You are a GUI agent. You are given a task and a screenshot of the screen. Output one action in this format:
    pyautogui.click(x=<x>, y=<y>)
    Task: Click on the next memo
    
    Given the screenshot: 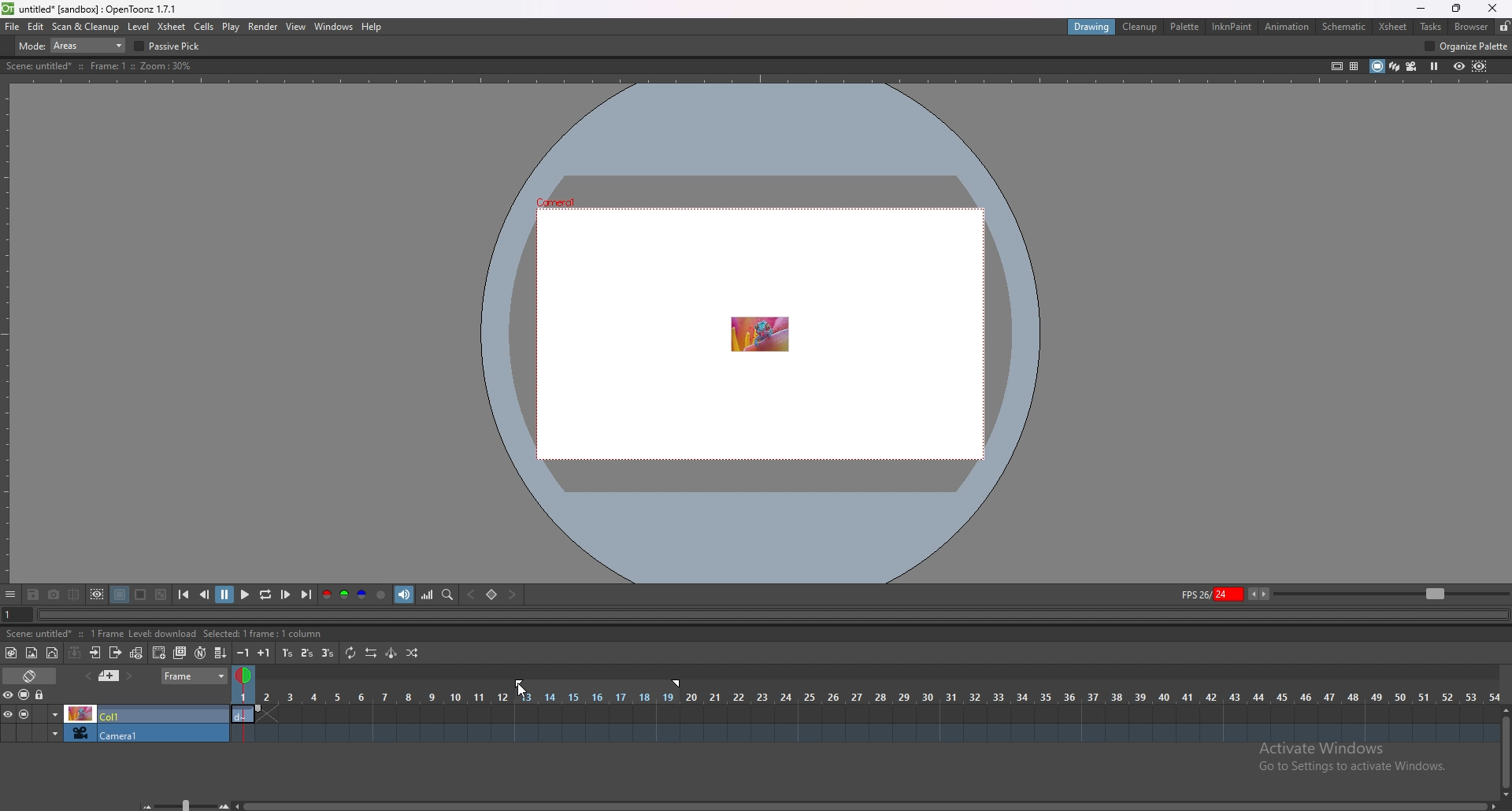 What is the action you would take?
    pyautogui.click(x=129, y=676)
    